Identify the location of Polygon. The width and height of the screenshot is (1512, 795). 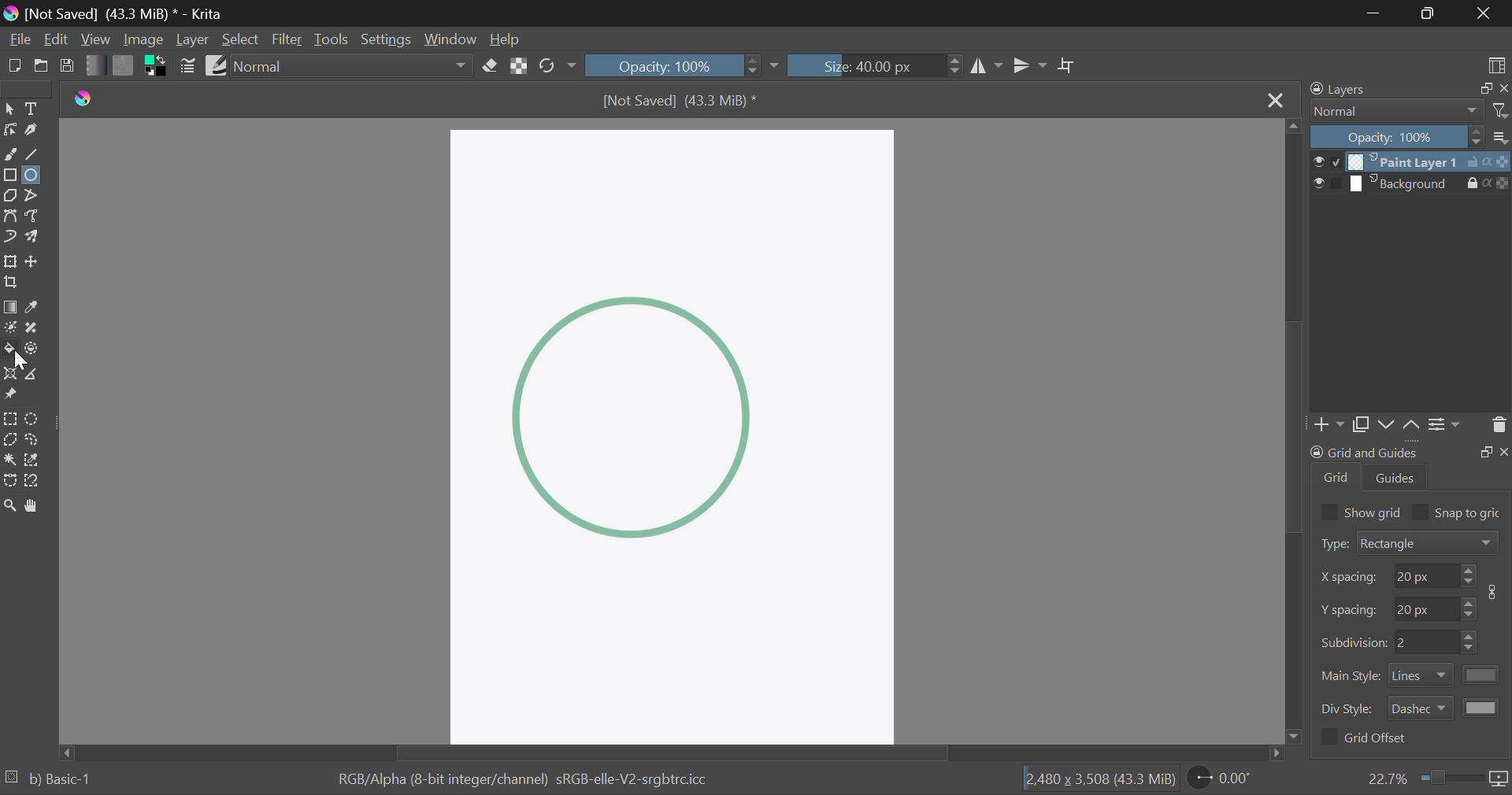
(9, 194).